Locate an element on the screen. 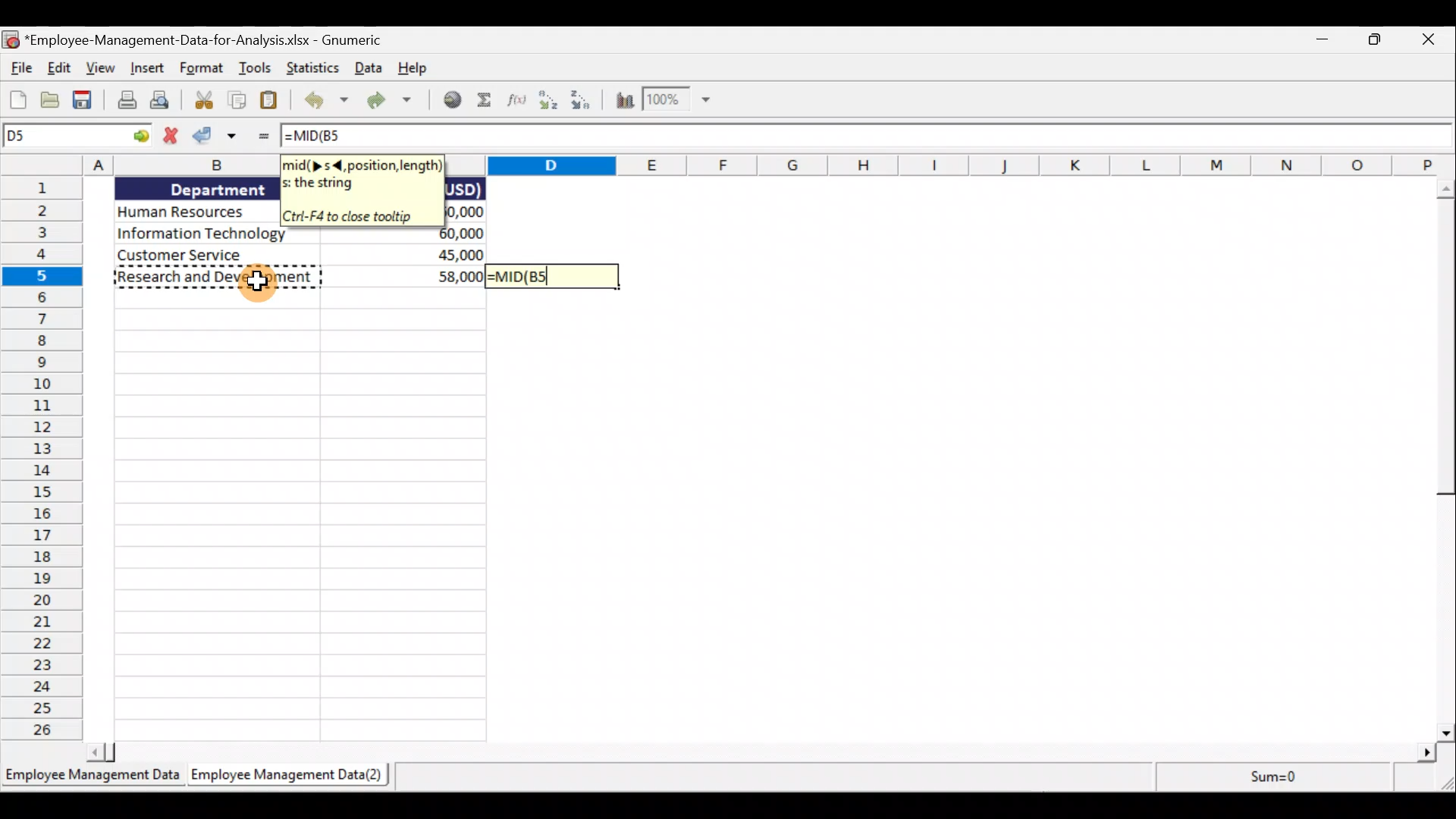  Redo the undone action is located at coordinates (392, 100).